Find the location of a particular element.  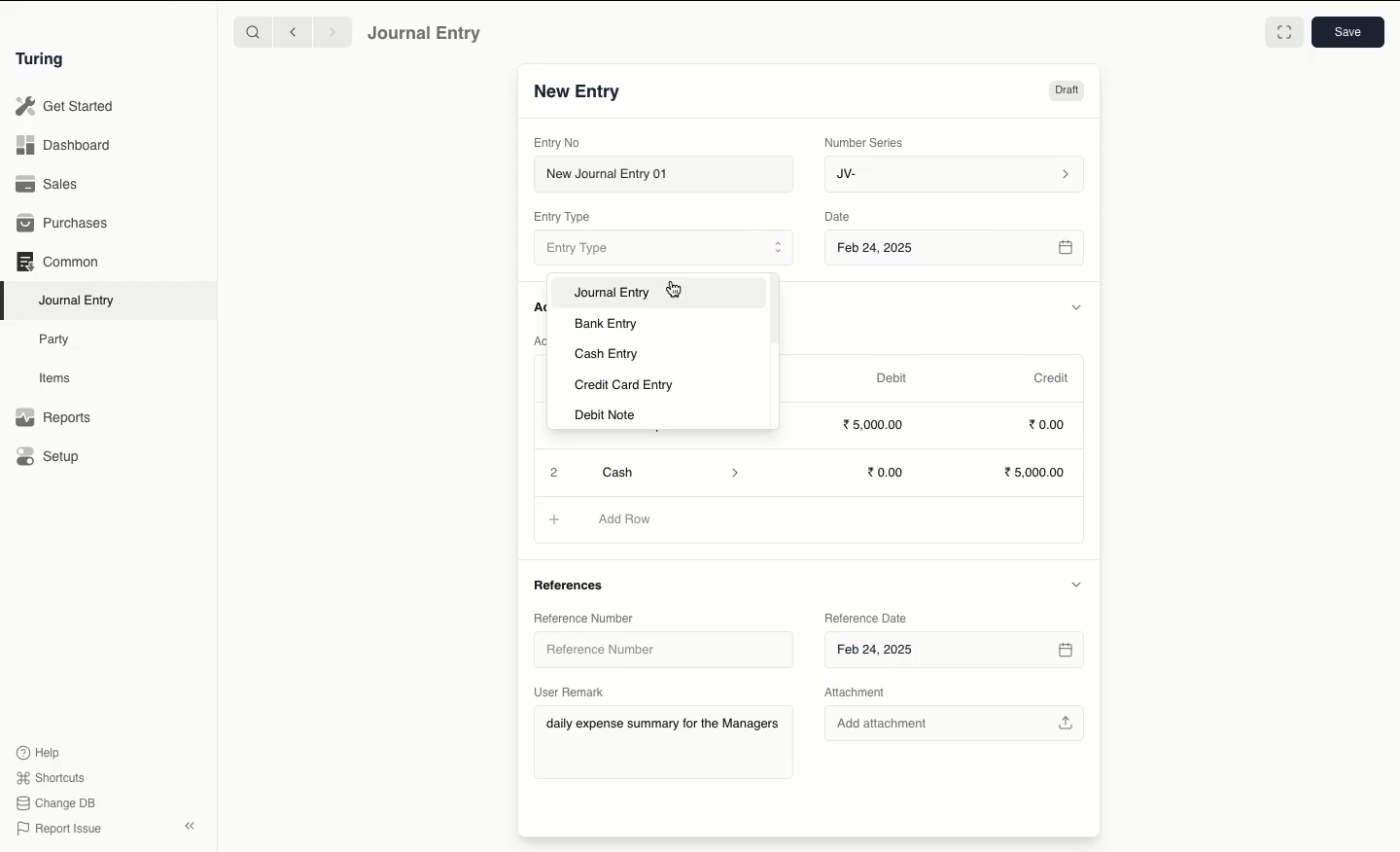

Add attachment is located at coordinates (956, 720).